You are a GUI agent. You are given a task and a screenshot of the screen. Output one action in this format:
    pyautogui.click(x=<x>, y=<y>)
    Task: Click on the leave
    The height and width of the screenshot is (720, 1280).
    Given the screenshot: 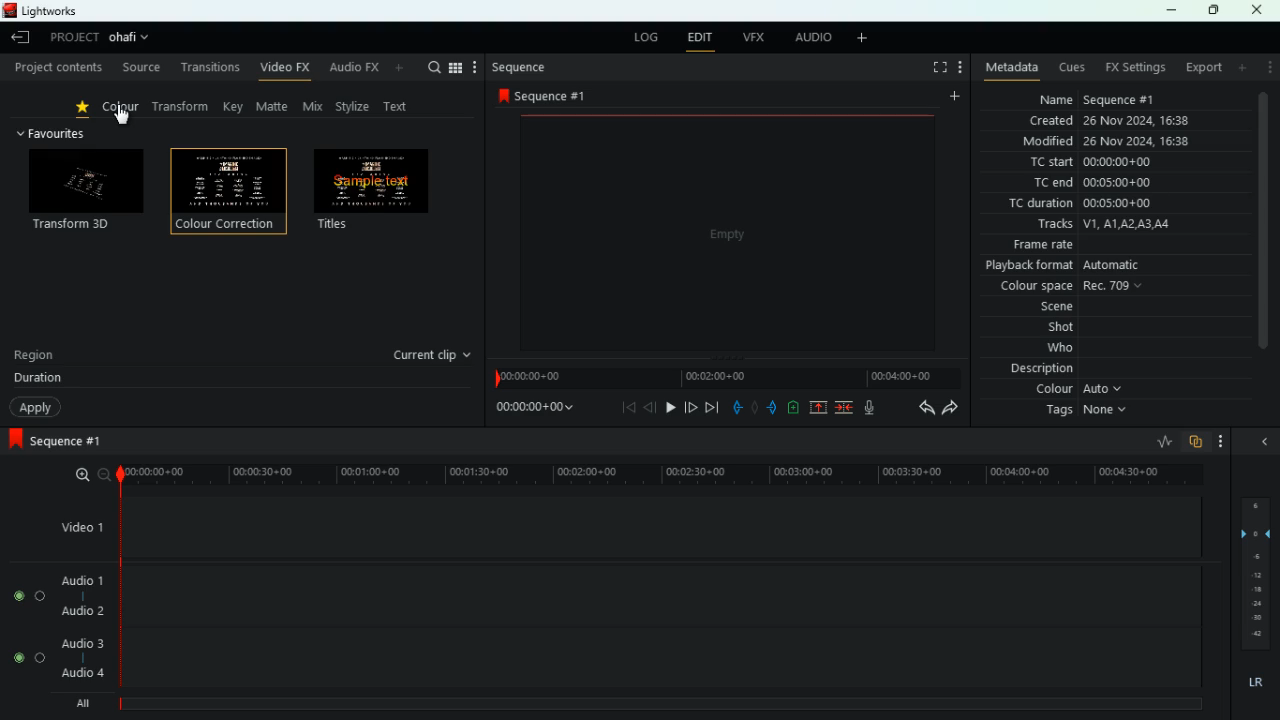 What is the action you would take?
    pyautogui.click(x=18, y=39)
    